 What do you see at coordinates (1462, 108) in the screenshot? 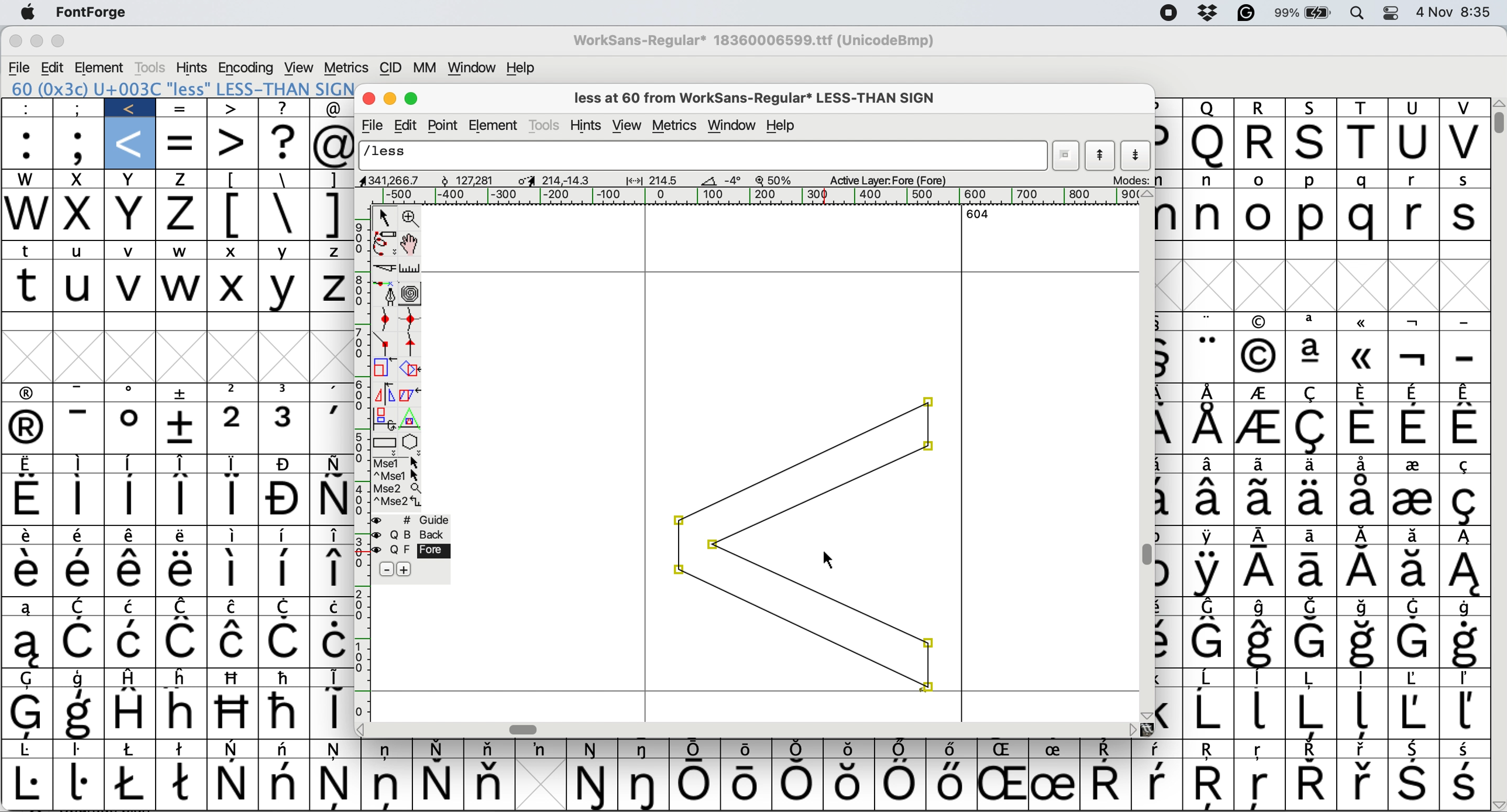
I see `v` at bounding box center [1462, 108].